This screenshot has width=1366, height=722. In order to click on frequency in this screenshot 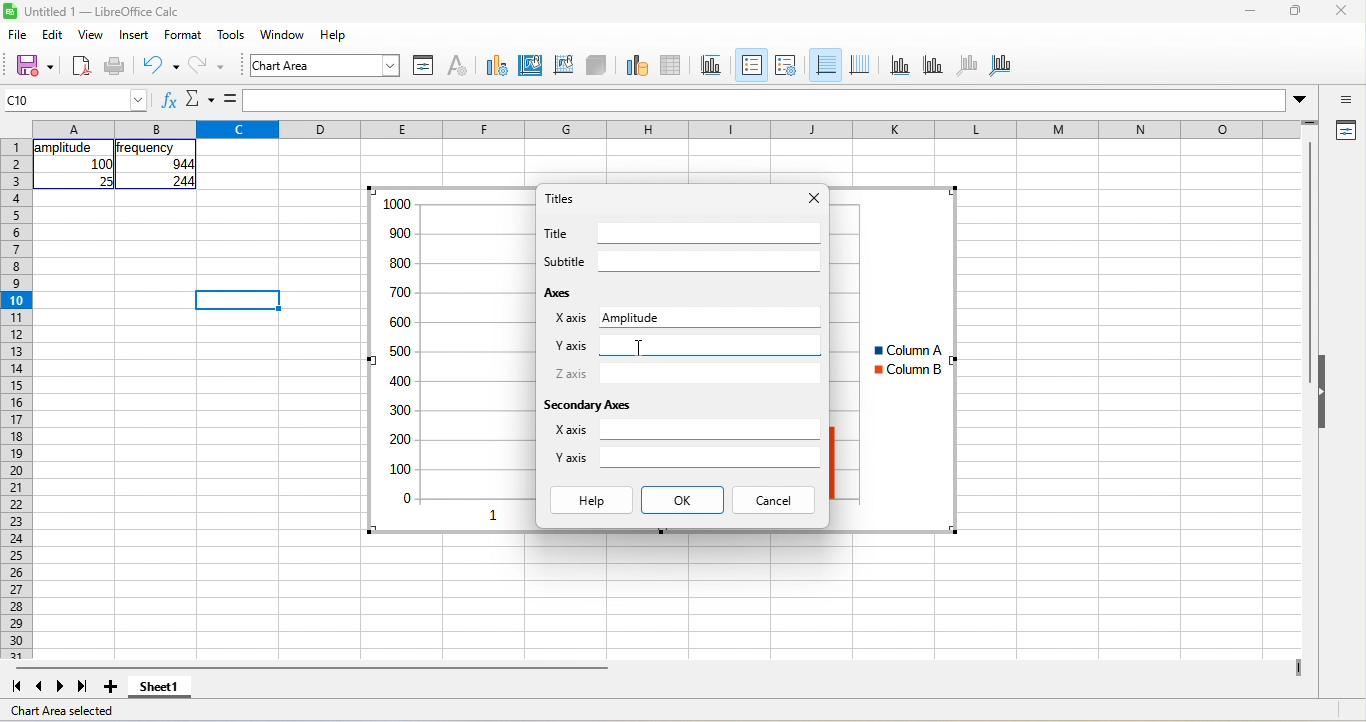, I will do `click(145, 148)`.